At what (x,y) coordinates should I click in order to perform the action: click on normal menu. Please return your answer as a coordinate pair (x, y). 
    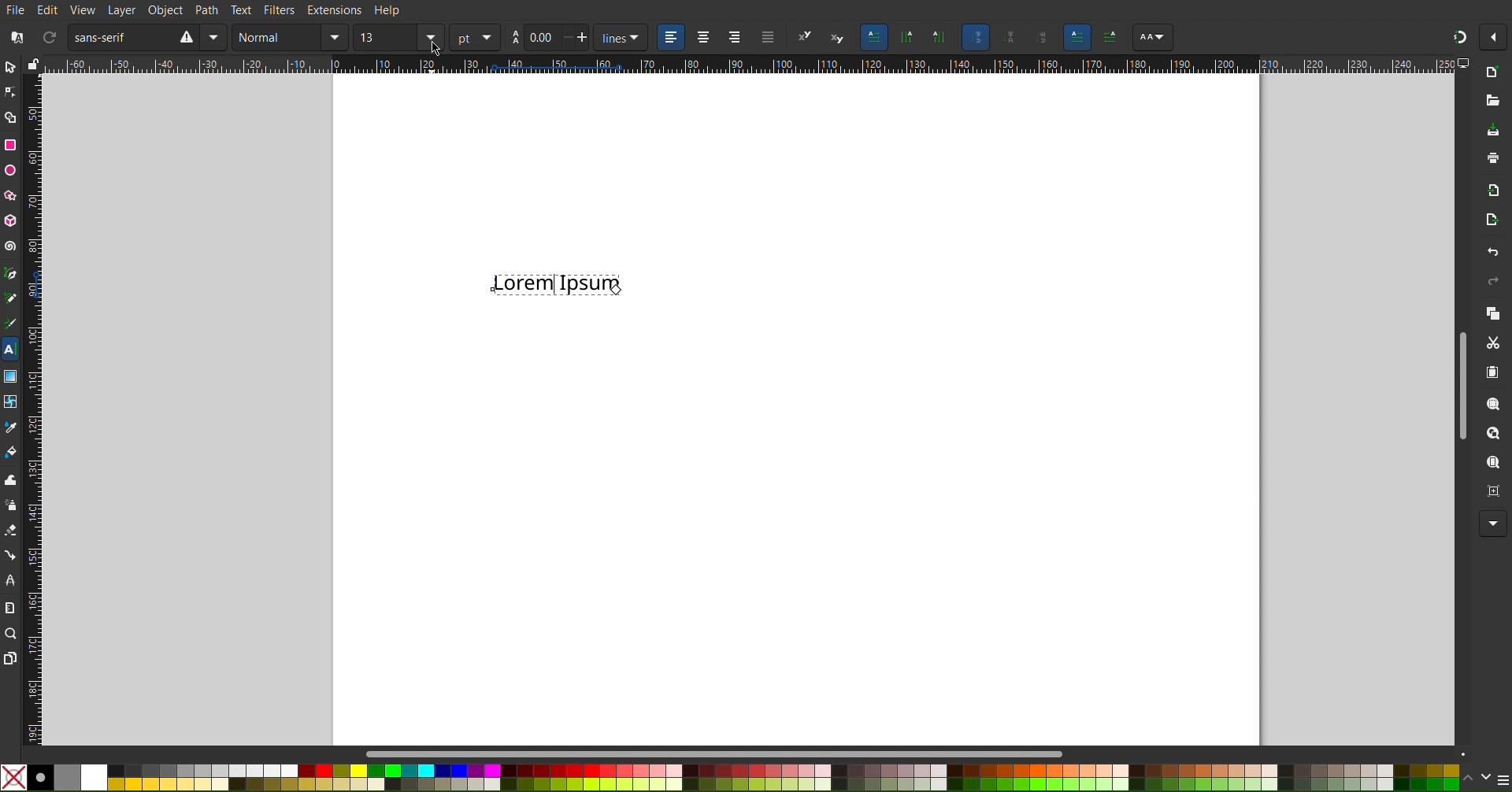
    Looking at the image, I should click on (335, 37).